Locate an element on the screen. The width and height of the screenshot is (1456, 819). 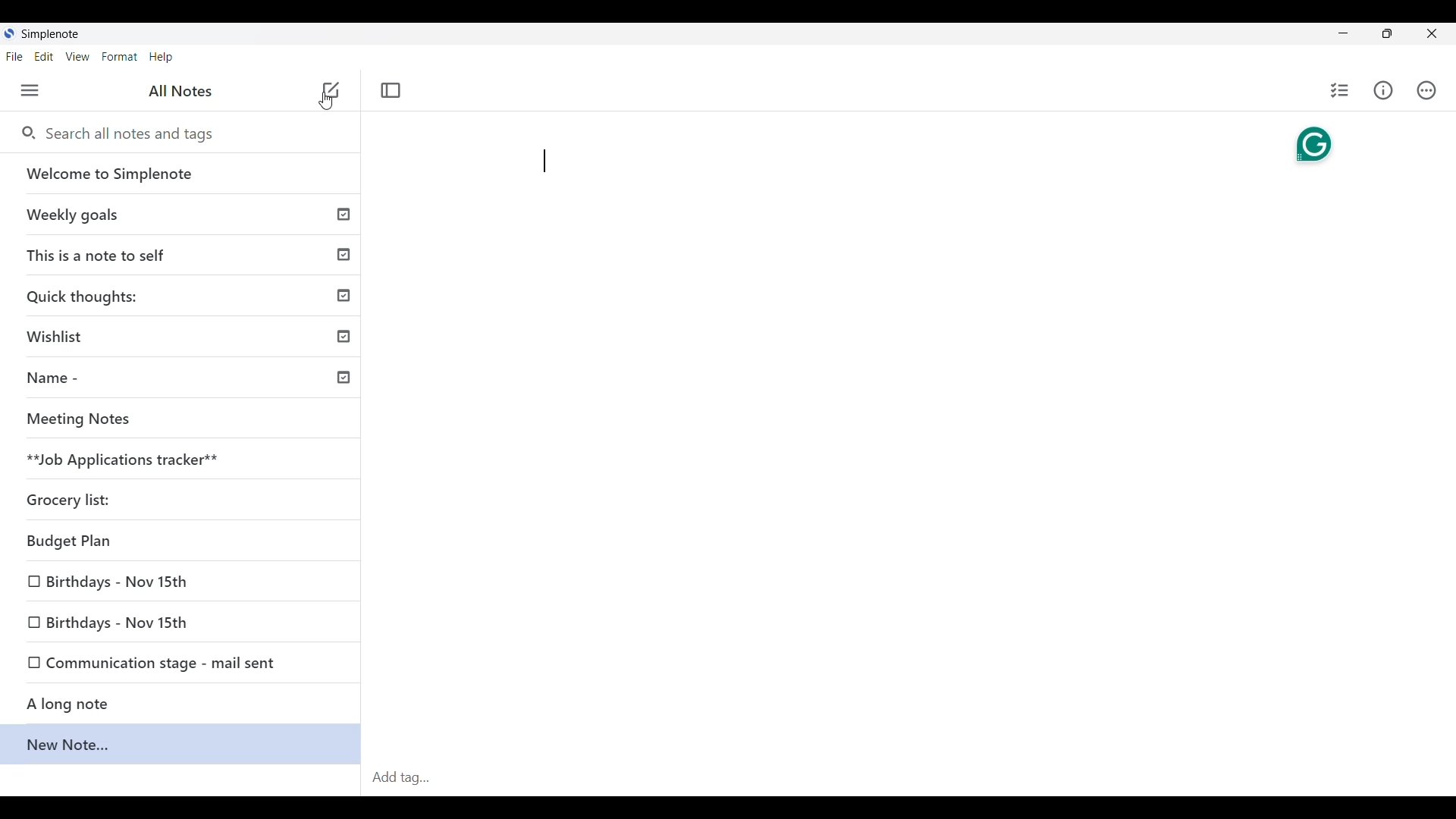
Weekly goals is located at coordinates (181, 214).